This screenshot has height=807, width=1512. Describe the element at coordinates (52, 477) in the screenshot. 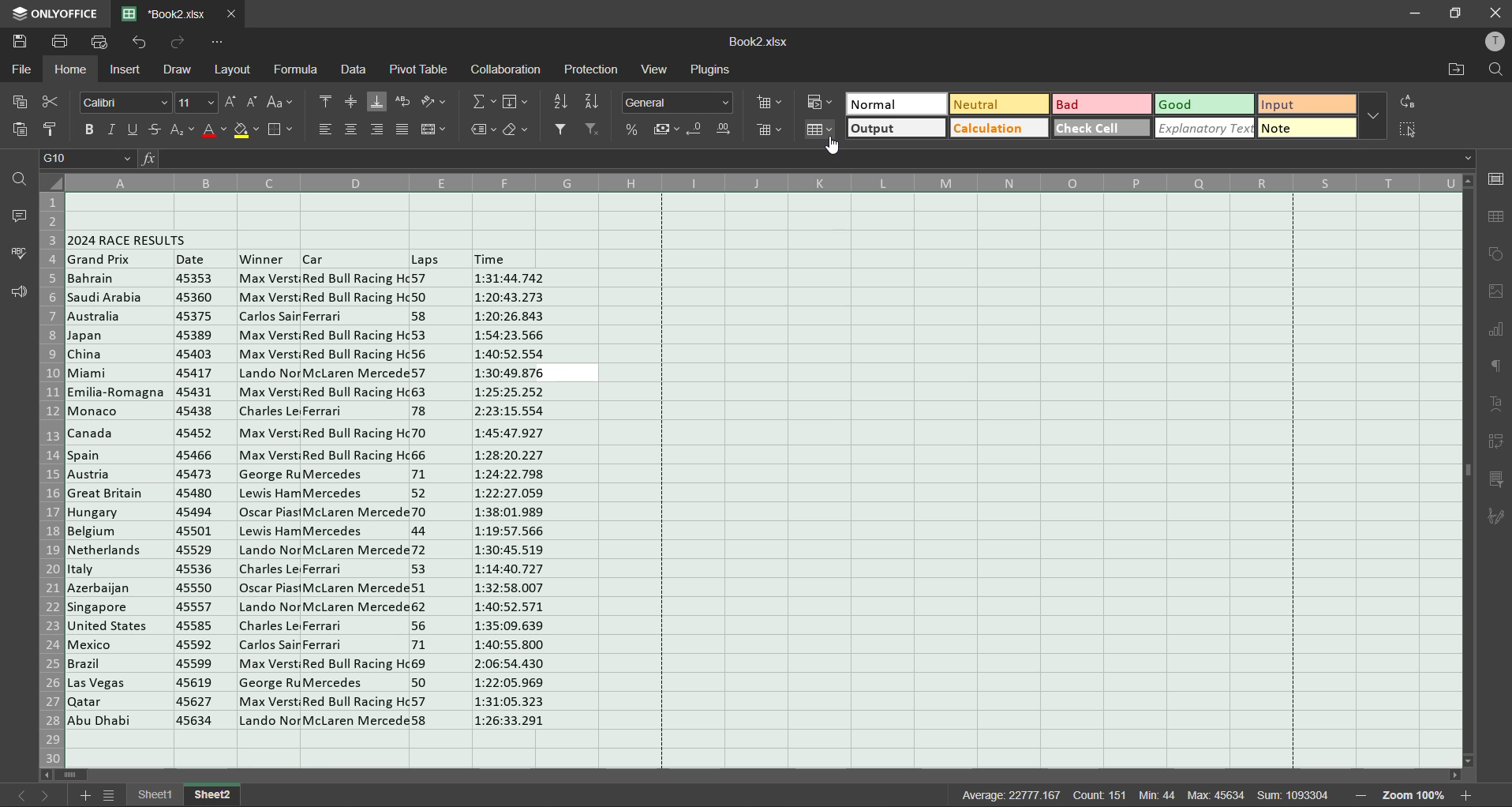

I see `row numbers` at that location.